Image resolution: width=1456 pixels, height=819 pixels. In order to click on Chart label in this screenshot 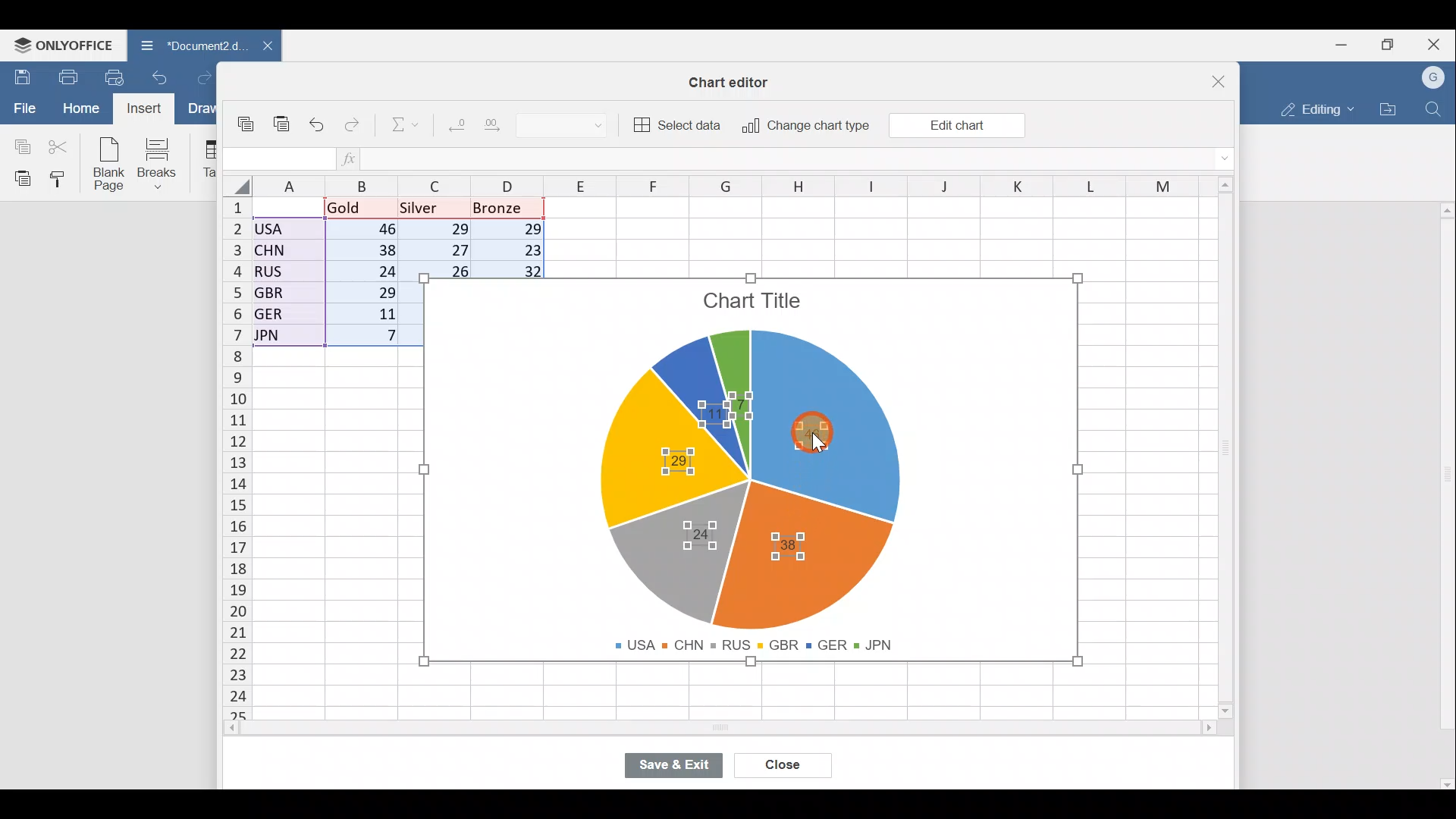, I will do `click(793, 545)`.